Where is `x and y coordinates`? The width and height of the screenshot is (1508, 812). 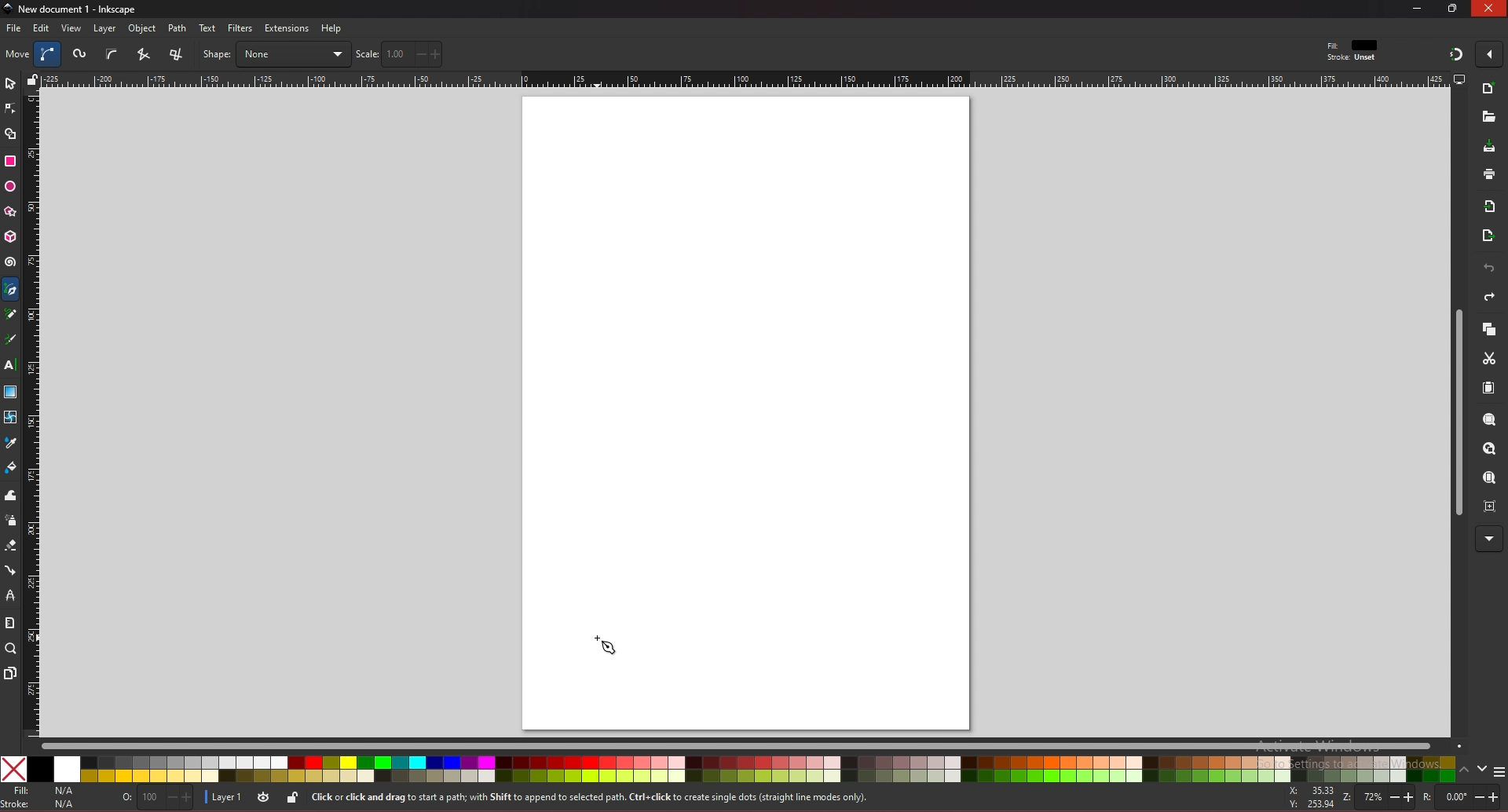
x and y coordinates is located at coordinates (1310, 797).